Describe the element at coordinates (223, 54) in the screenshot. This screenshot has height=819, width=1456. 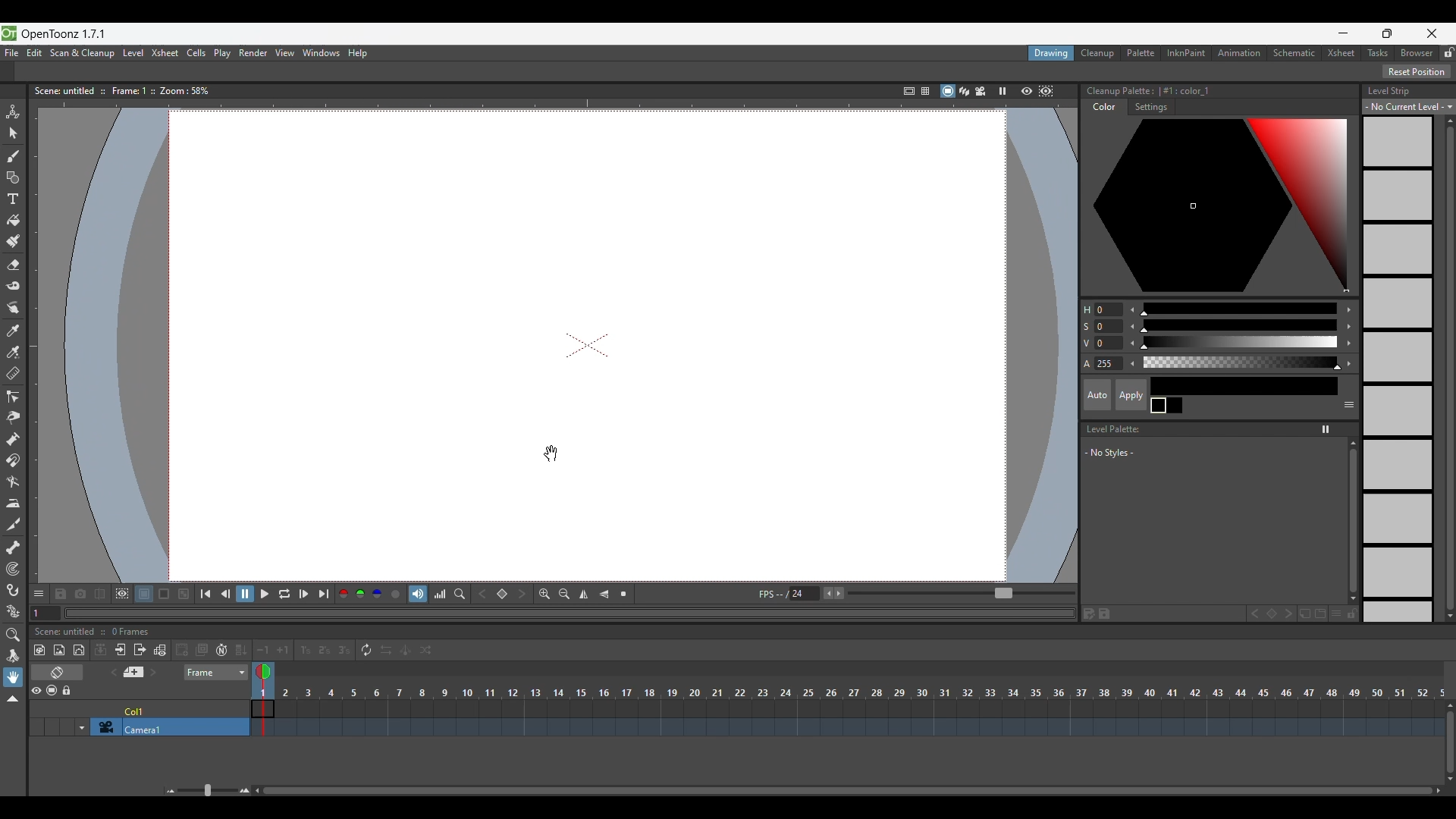
I see `Play` at that location.